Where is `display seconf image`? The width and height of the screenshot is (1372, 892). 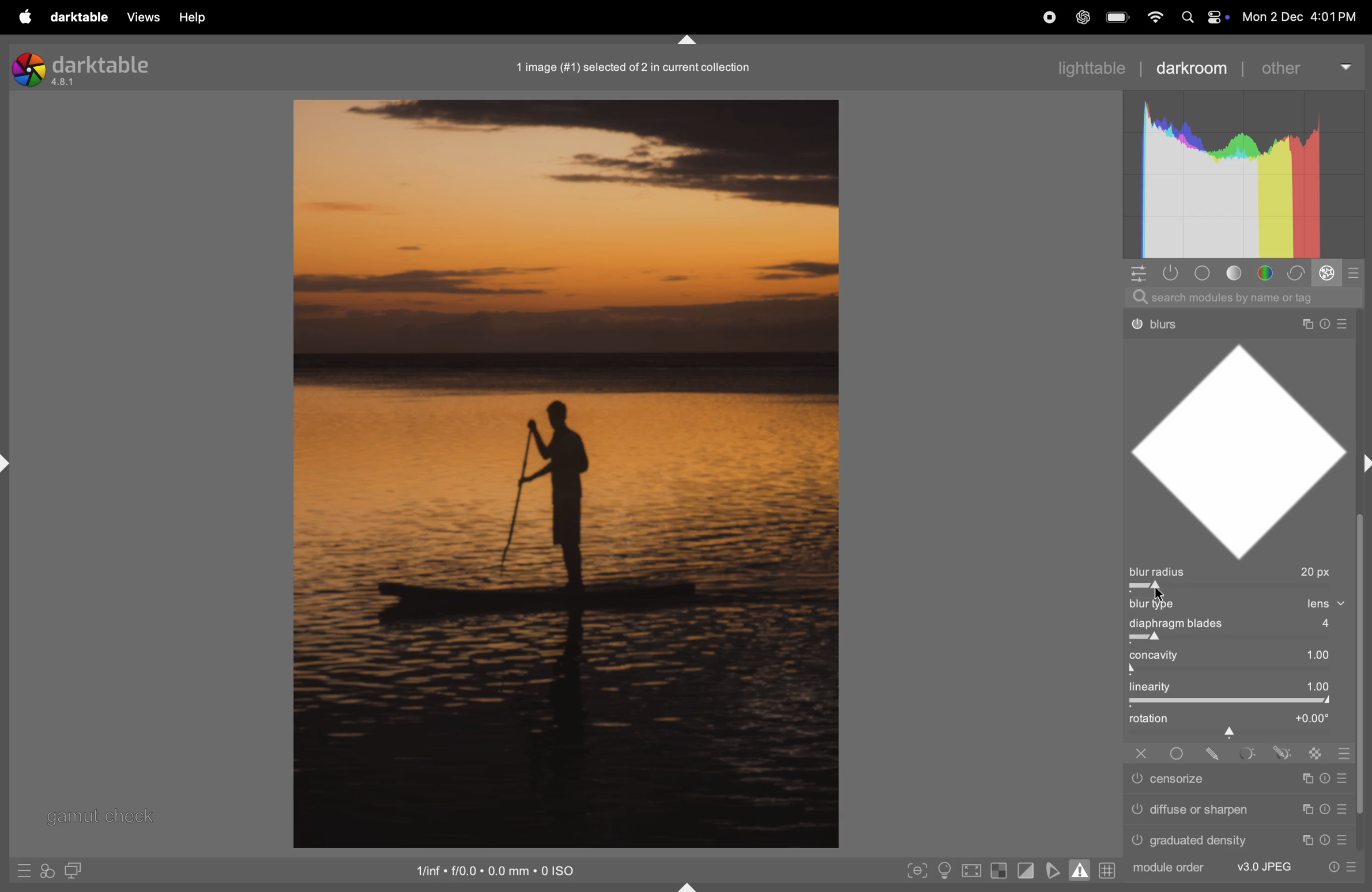
display seconf image is located at coordinates (76, 870).